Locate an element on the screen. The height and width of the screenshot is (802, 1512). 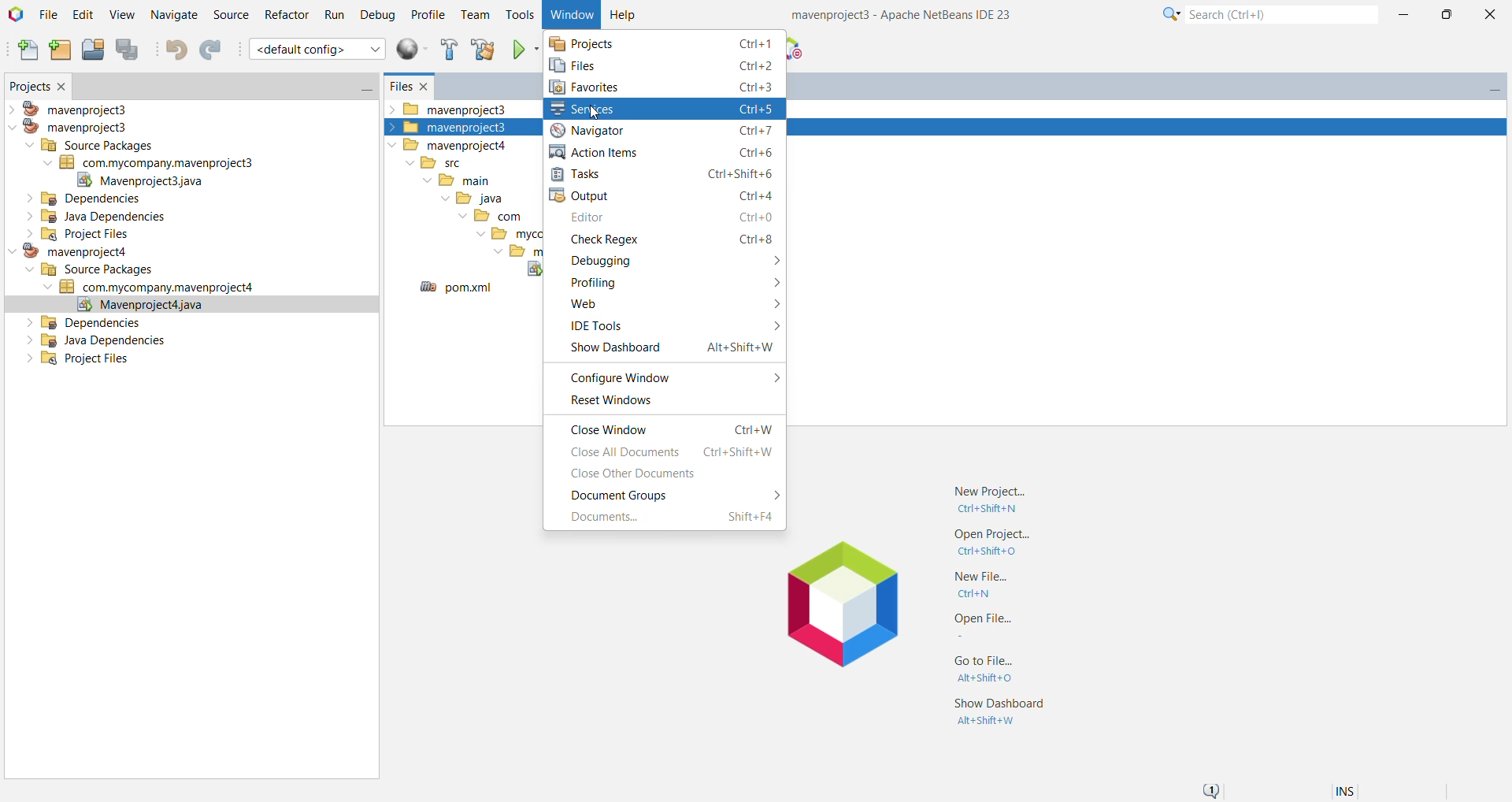
Close is located at coordinates (1489, 13).